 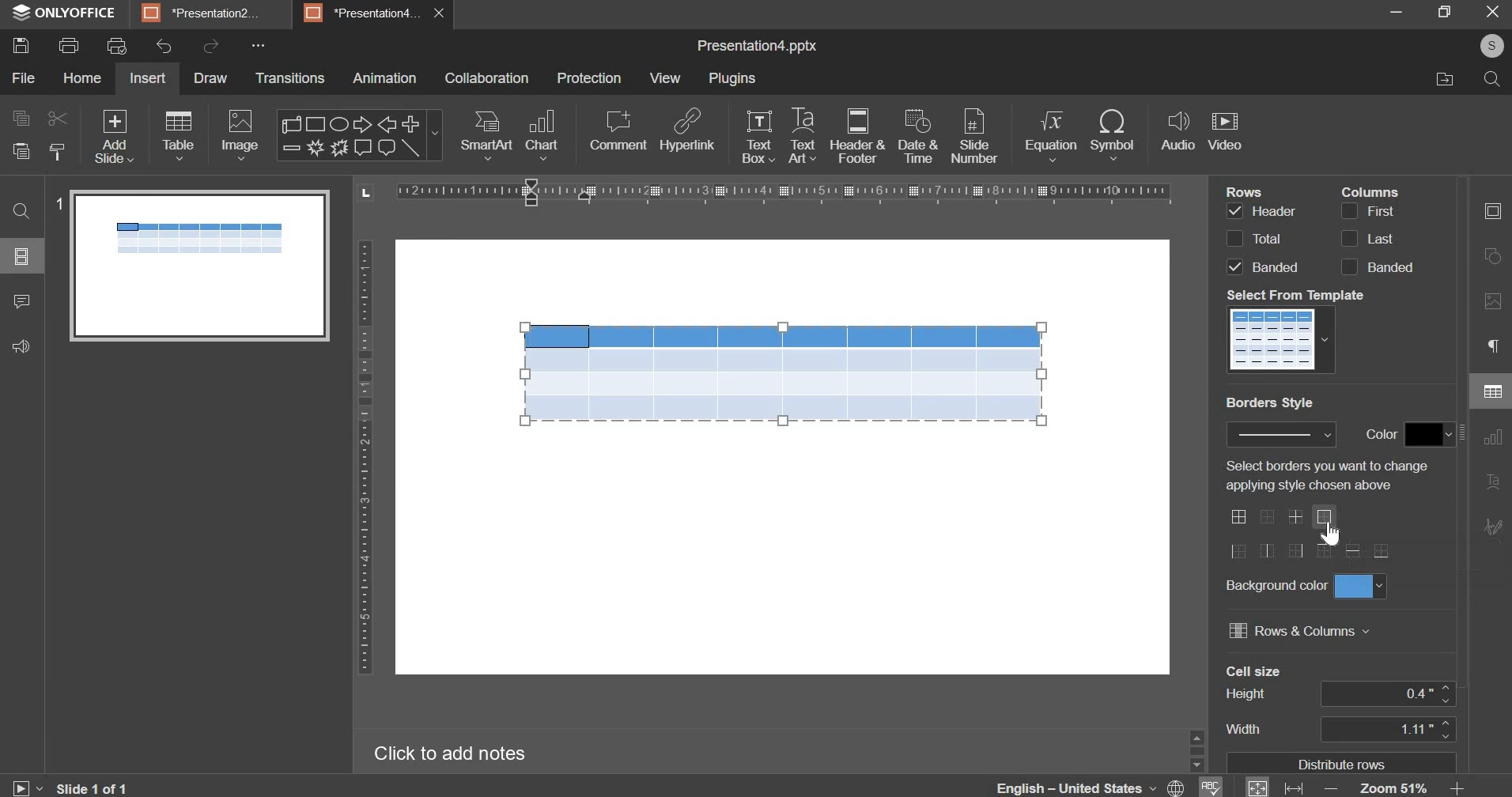 What do you see at coordinates (1264, 266) in the screenshot?
I see `rows banded` at bounding box center [1264, 266].